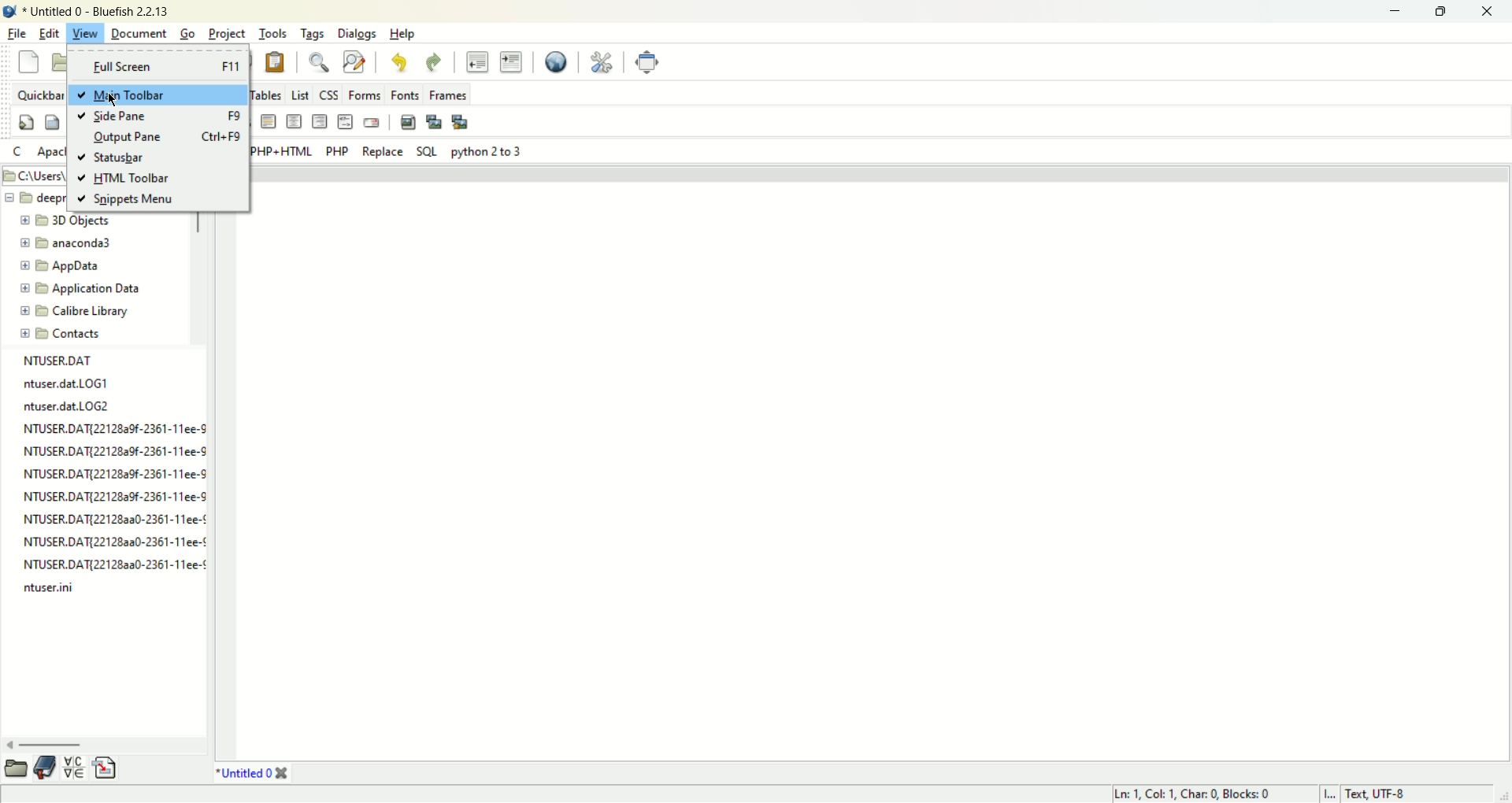 The height and width of the screenshot is (803, 1512). What do you see at coordinates (302, 94) in the screenshot?
I see `List` at bounding box center [302, 94].